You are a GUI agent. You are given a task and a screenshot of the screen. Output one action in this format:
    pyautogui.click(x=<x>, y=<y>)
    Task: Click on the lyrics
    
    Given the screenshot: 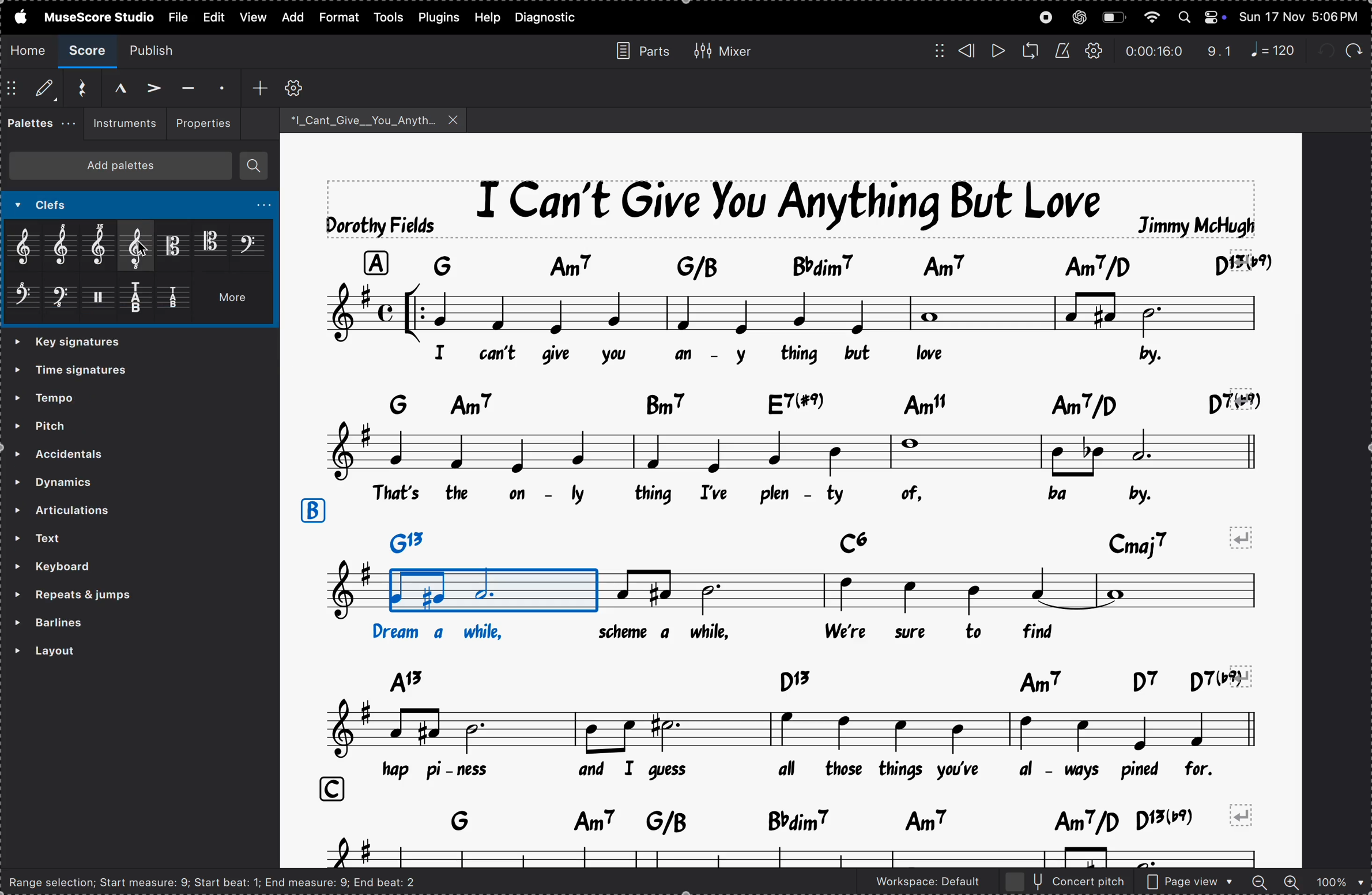 What is the action you would take?
    pyautogui.click(x=812, y=769)
    